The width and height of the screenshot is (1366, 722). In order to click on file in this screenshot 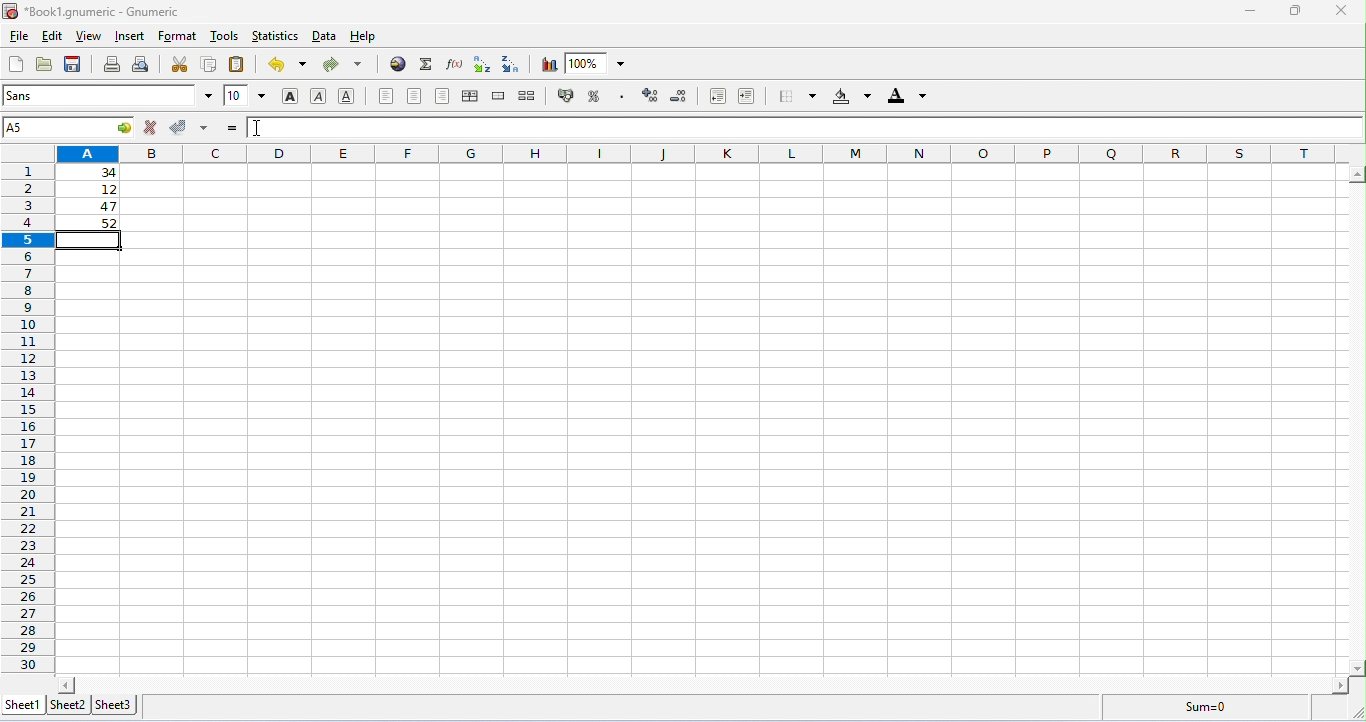, I will do `click(18, 37)`.